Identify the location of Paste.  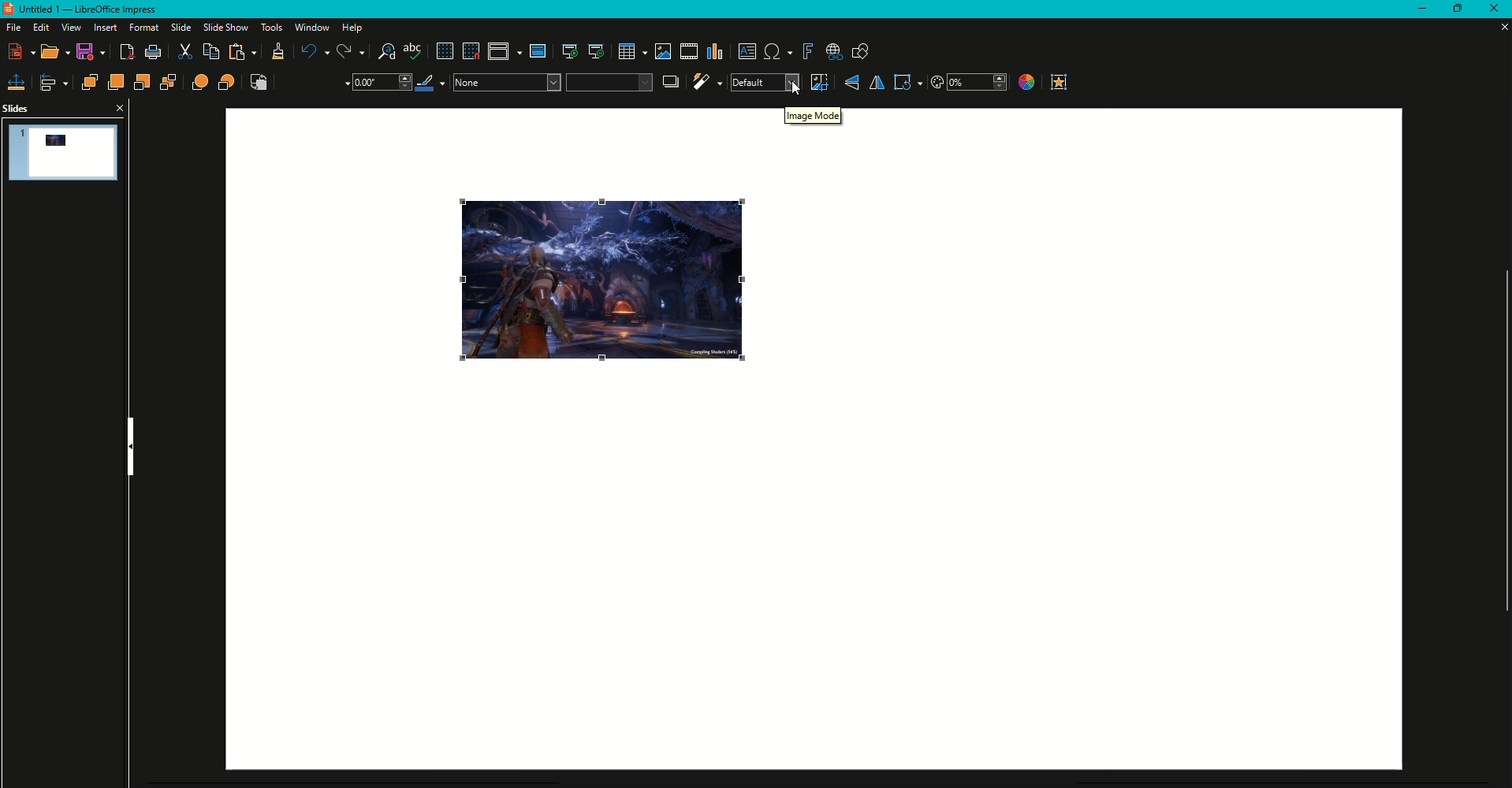
(244, 53).